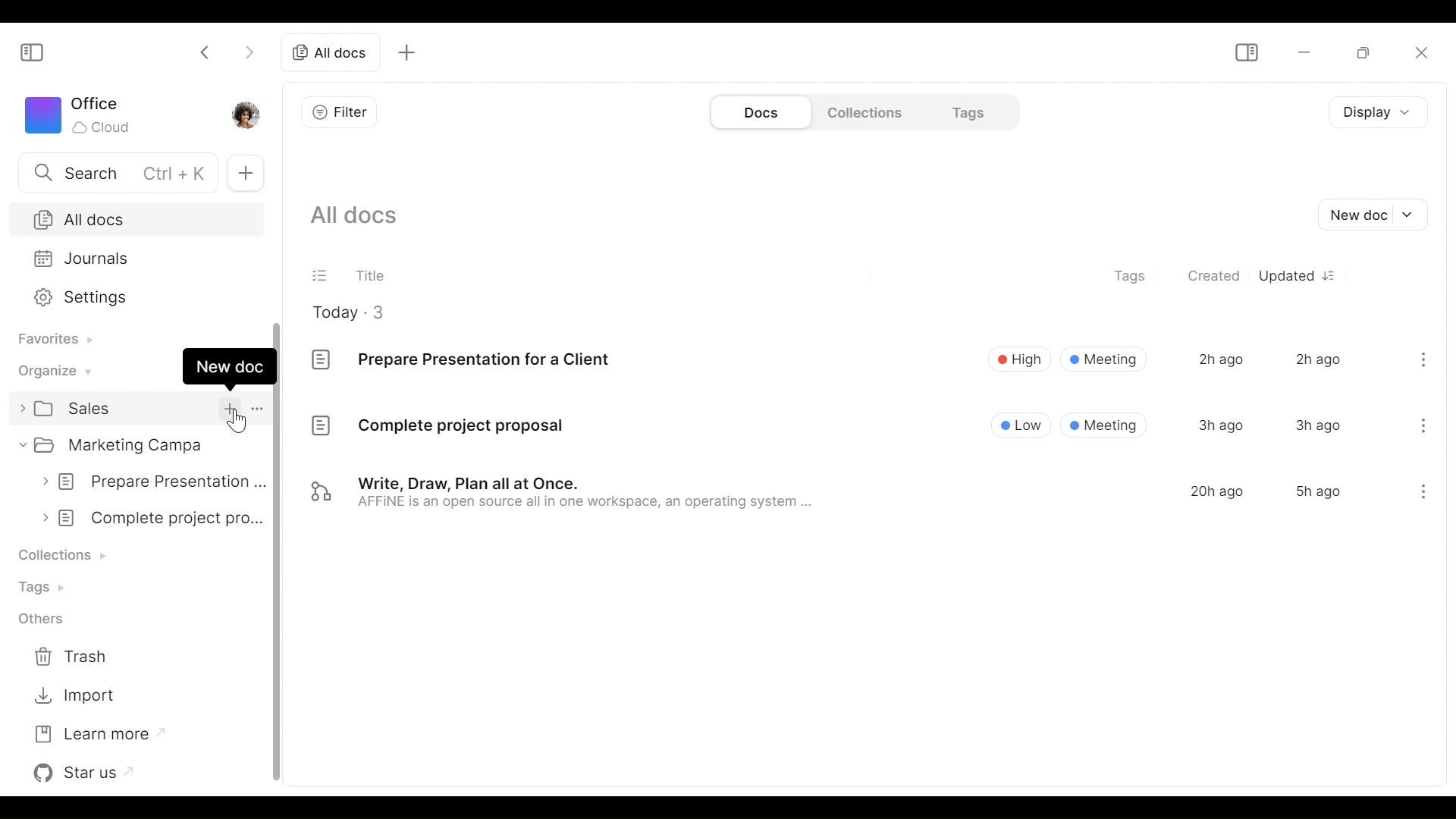 The height and width of the screenshot is (819, 1456). I want to click on Tags, so click(968, 111).